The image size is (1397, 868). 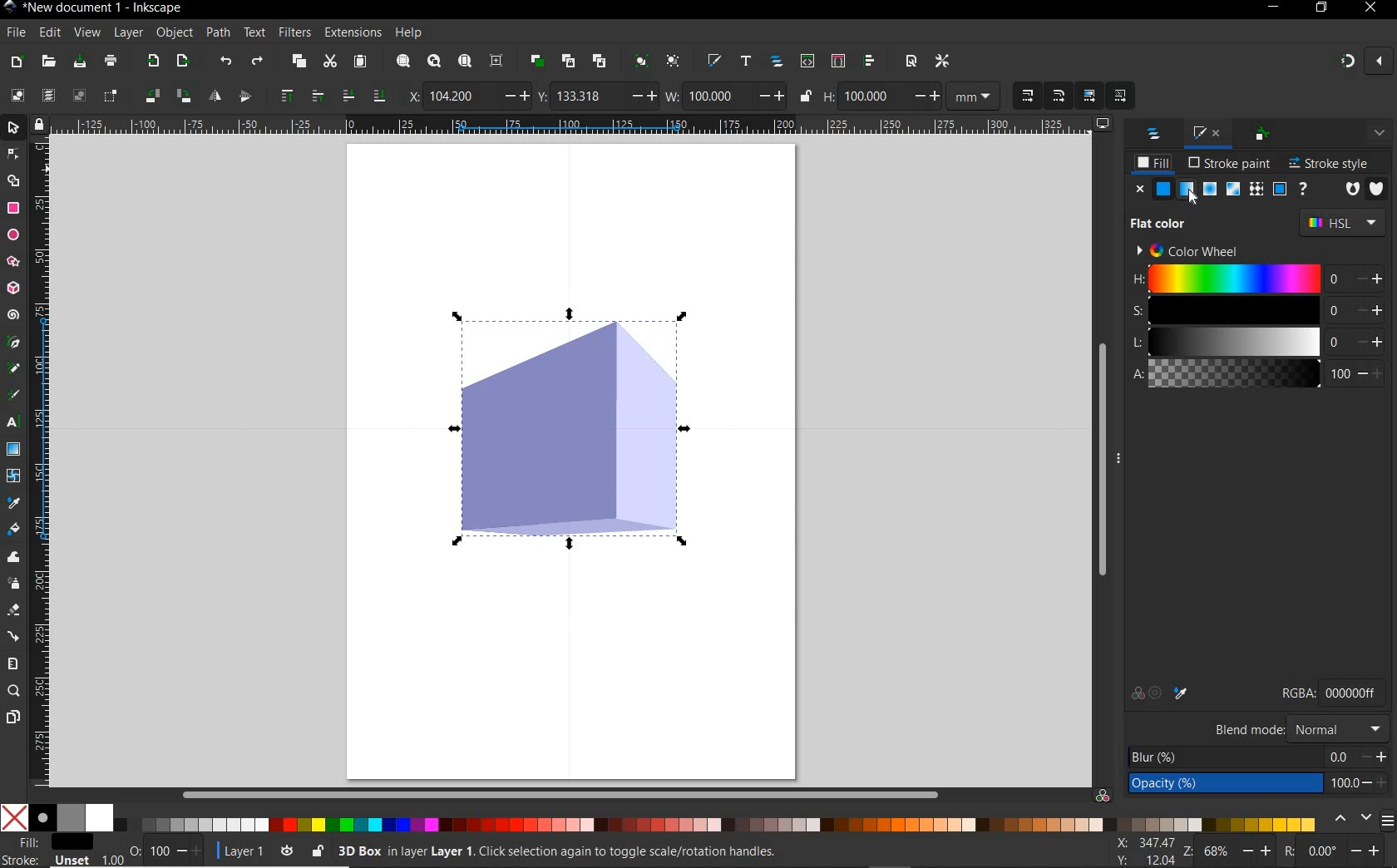 What do you see at coordinates (15, 691) in the screenshot?
I see `ZOOM TOOL` at bounding box center [15, 691].